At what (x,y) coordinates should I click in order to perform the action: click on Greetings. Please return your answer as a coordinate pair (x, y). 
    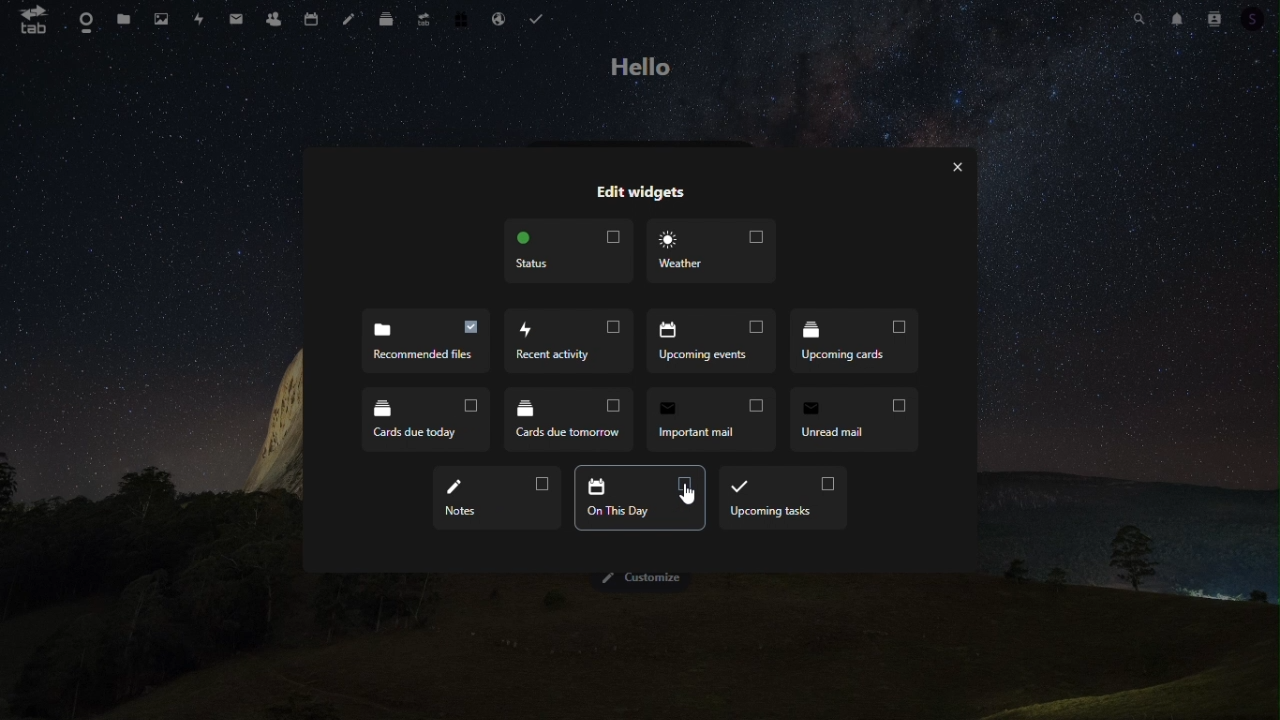
    Looking at the image, I should click on (640, 69).